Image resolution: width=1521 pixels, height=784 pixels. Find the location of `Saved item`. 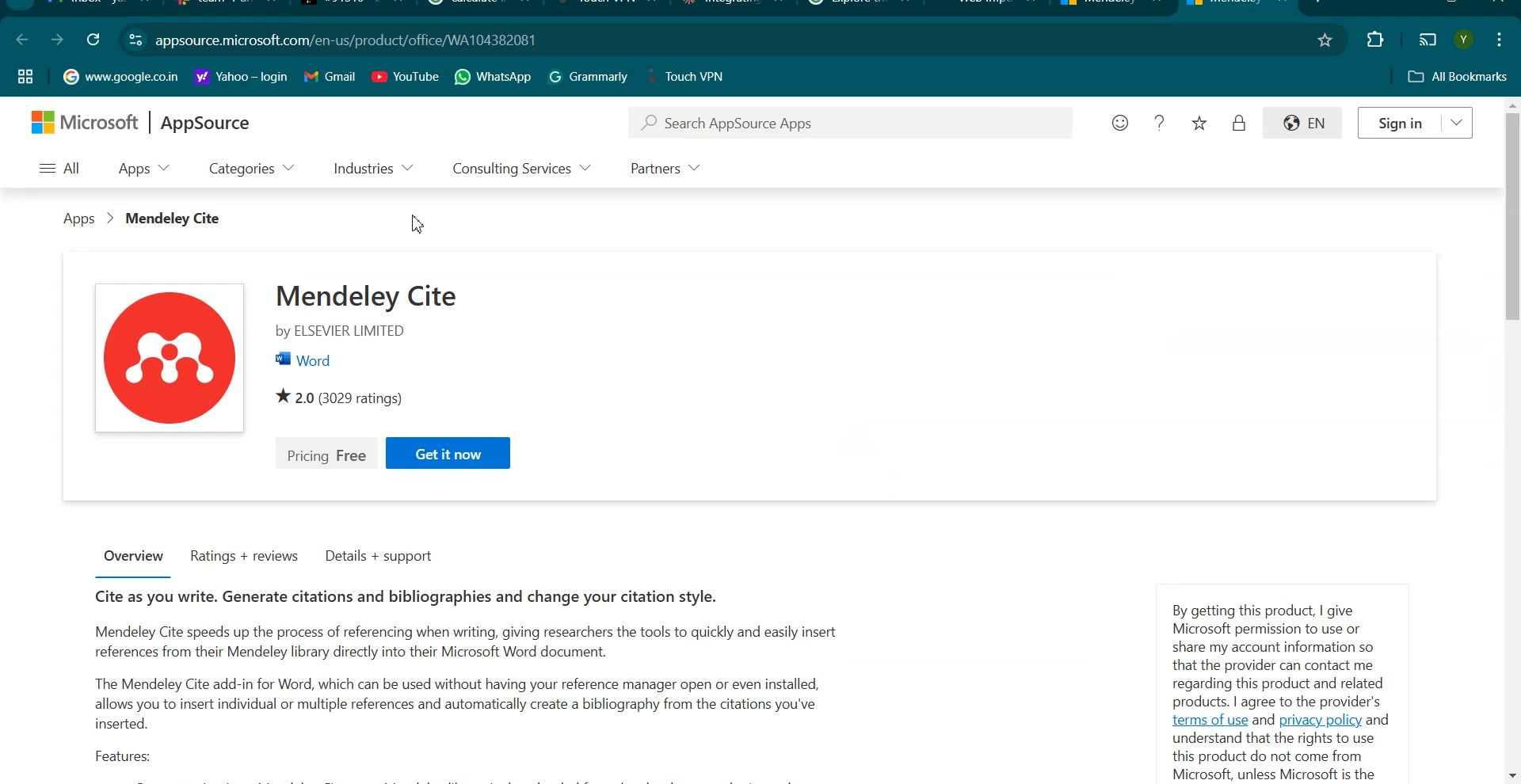

Saved item is located at coordinates (1201, 124).